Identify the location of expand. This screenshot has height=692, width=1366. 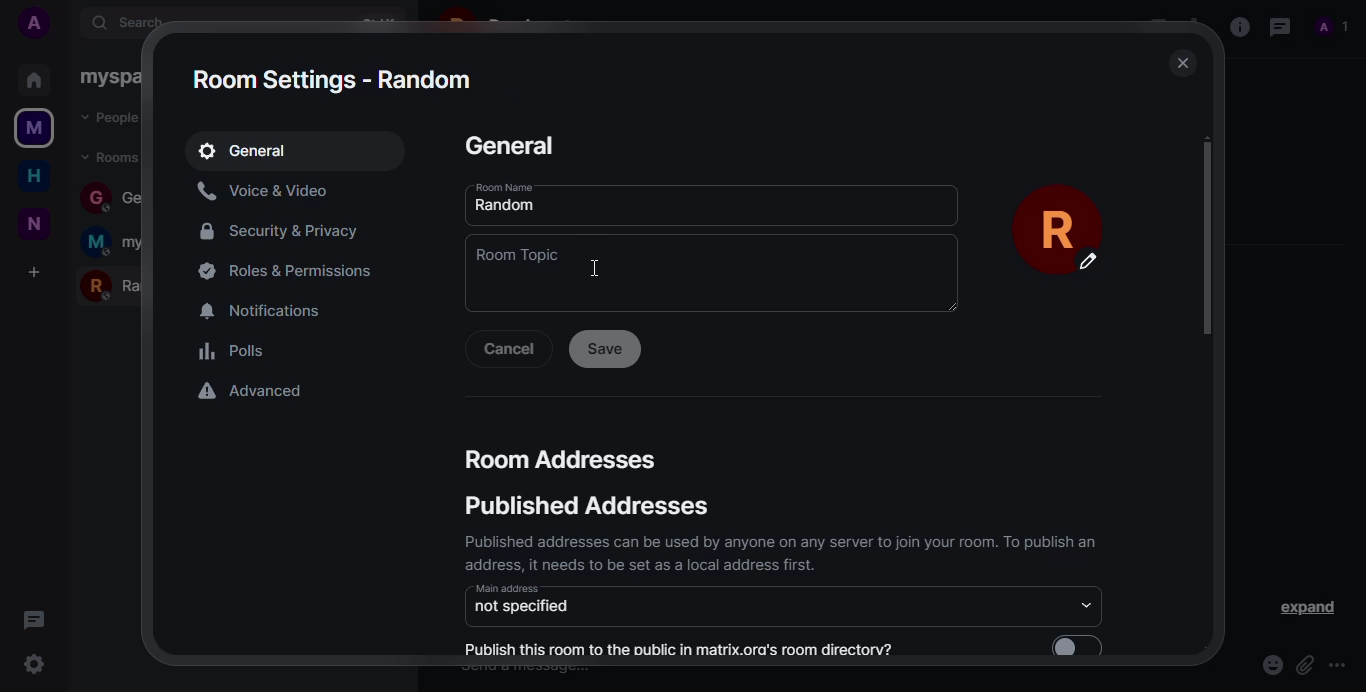
(1306, 606).